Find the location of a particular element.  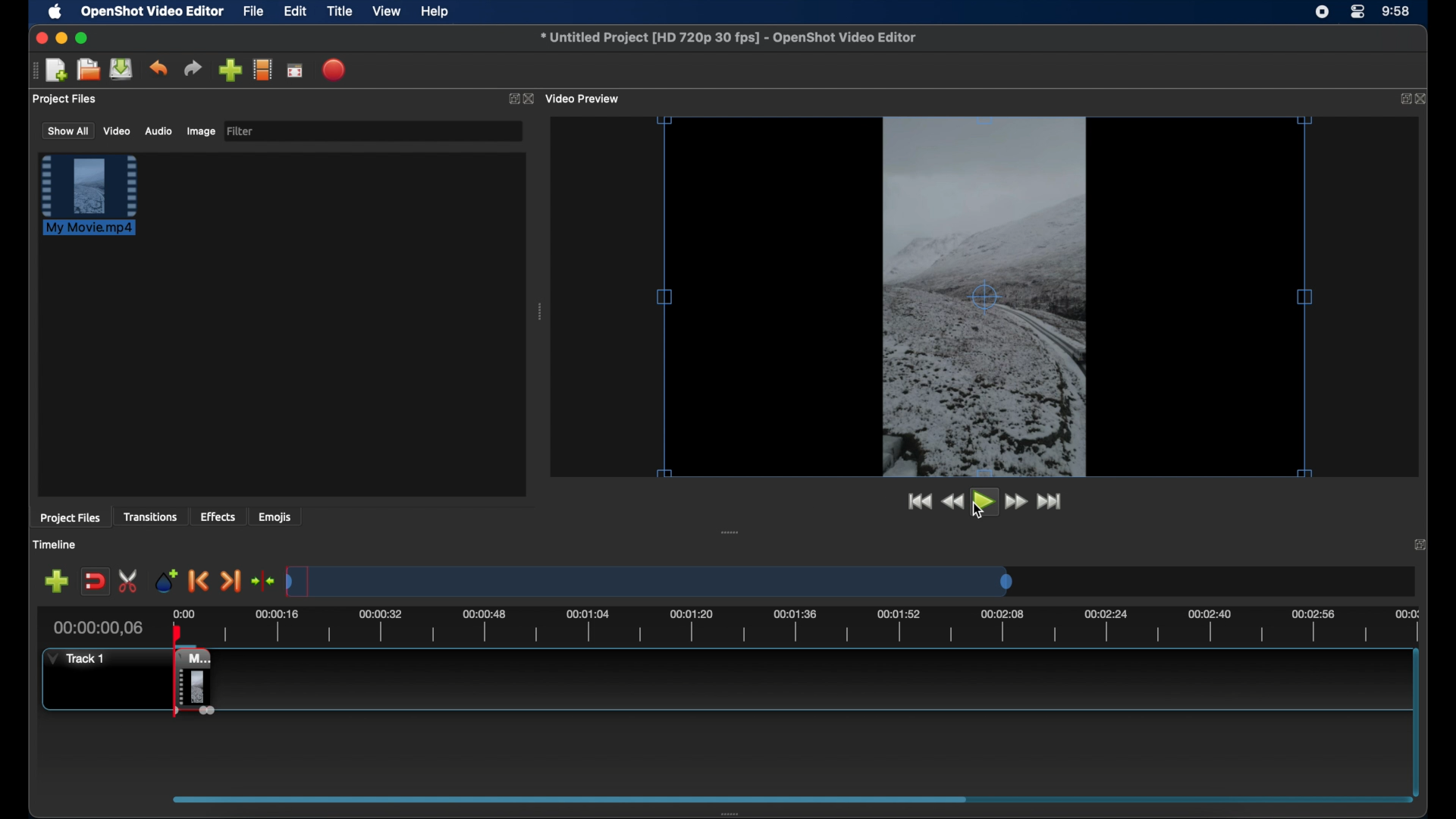

explore profiles is located at coordinates (262, 69).